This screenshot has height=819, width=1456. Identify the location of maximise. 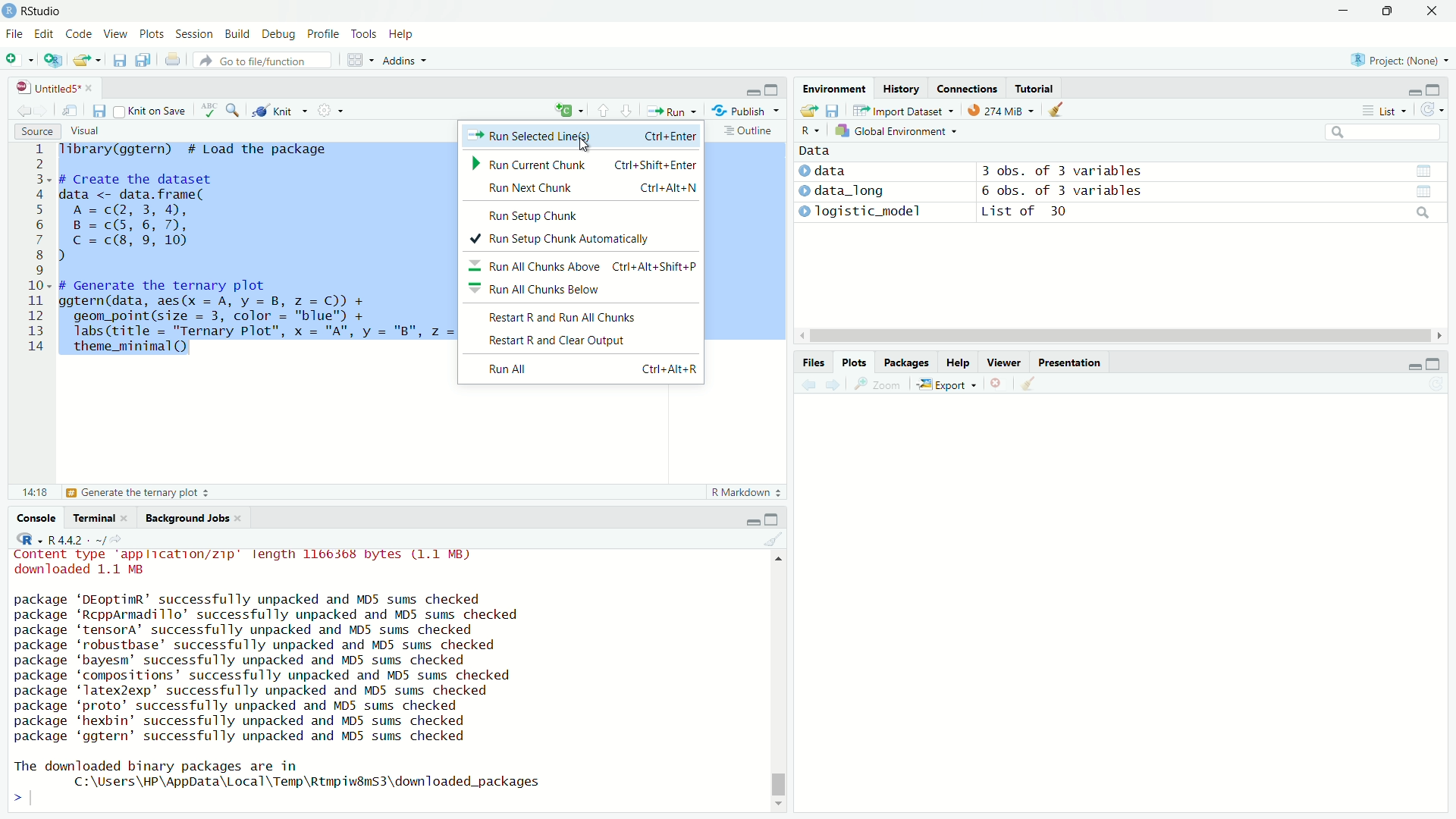
(1435, 89).